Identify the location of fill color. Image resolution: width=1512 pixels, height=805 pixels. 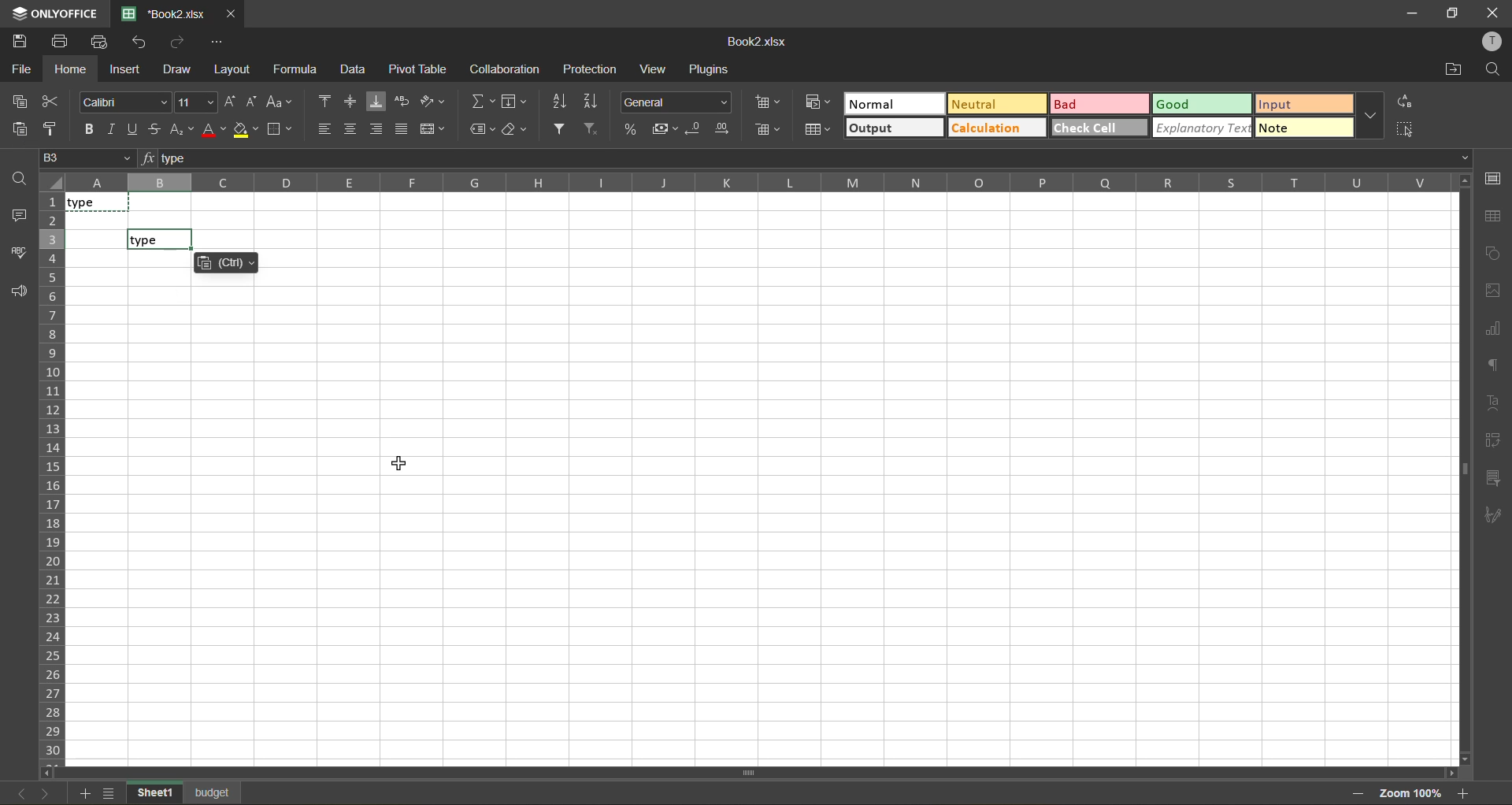
(246, 129).